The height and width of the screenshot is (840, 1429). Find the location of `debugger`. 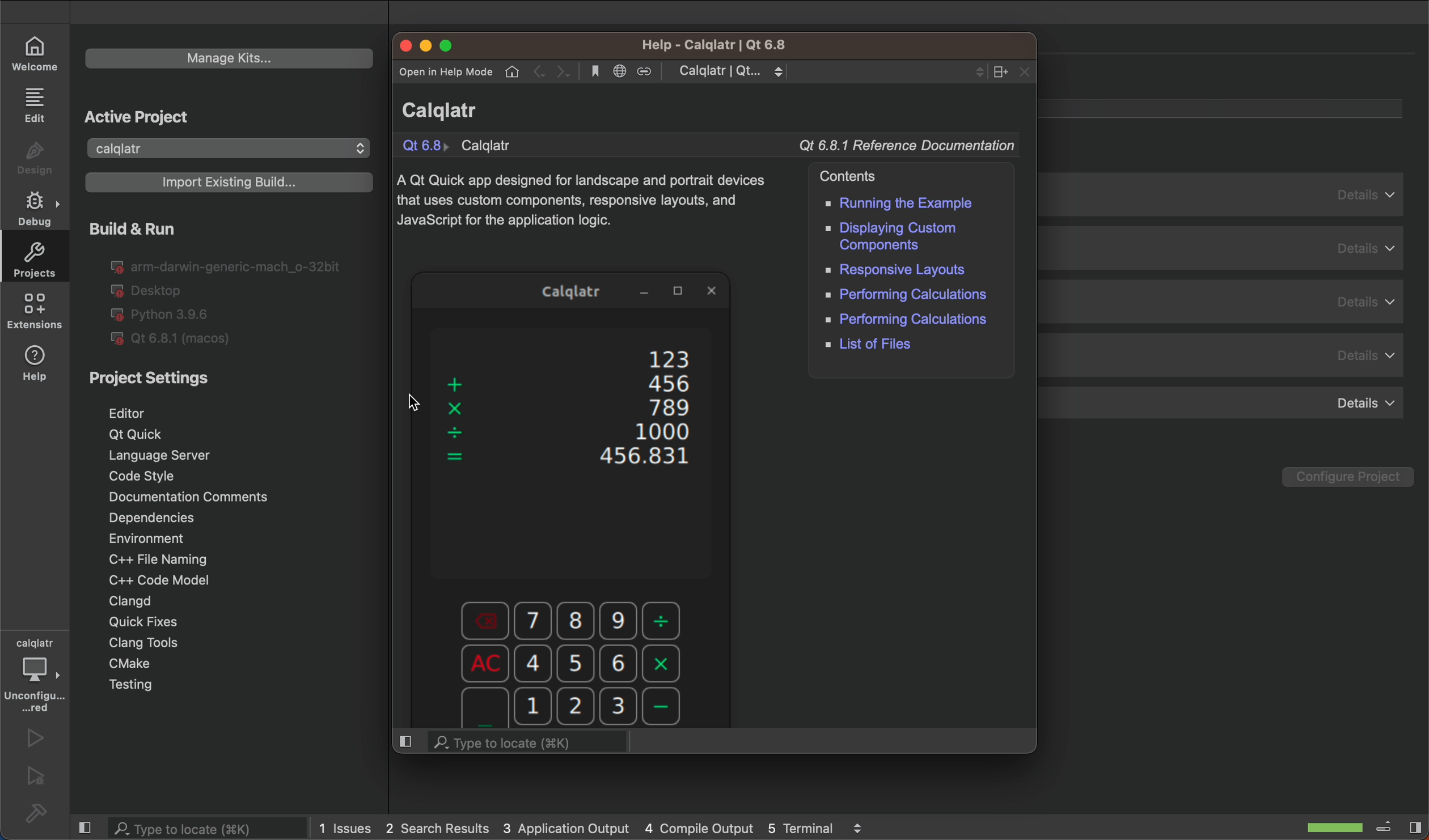

debugger is located at coordinates (37, 674).